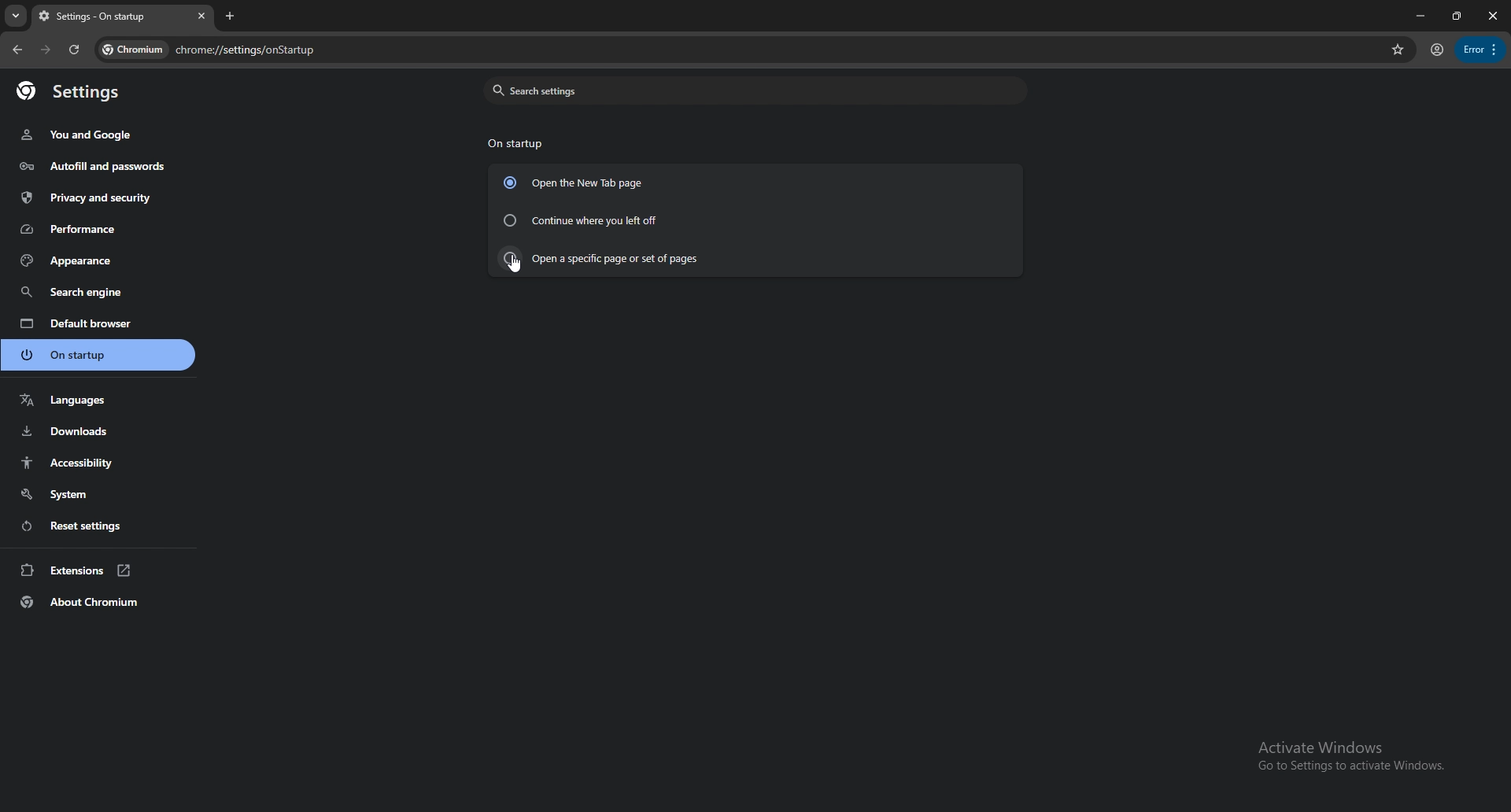  What do you see at coordinates (1398, 49) in the screenshot?
I see `favorites` at bounding box center [1398, 49].